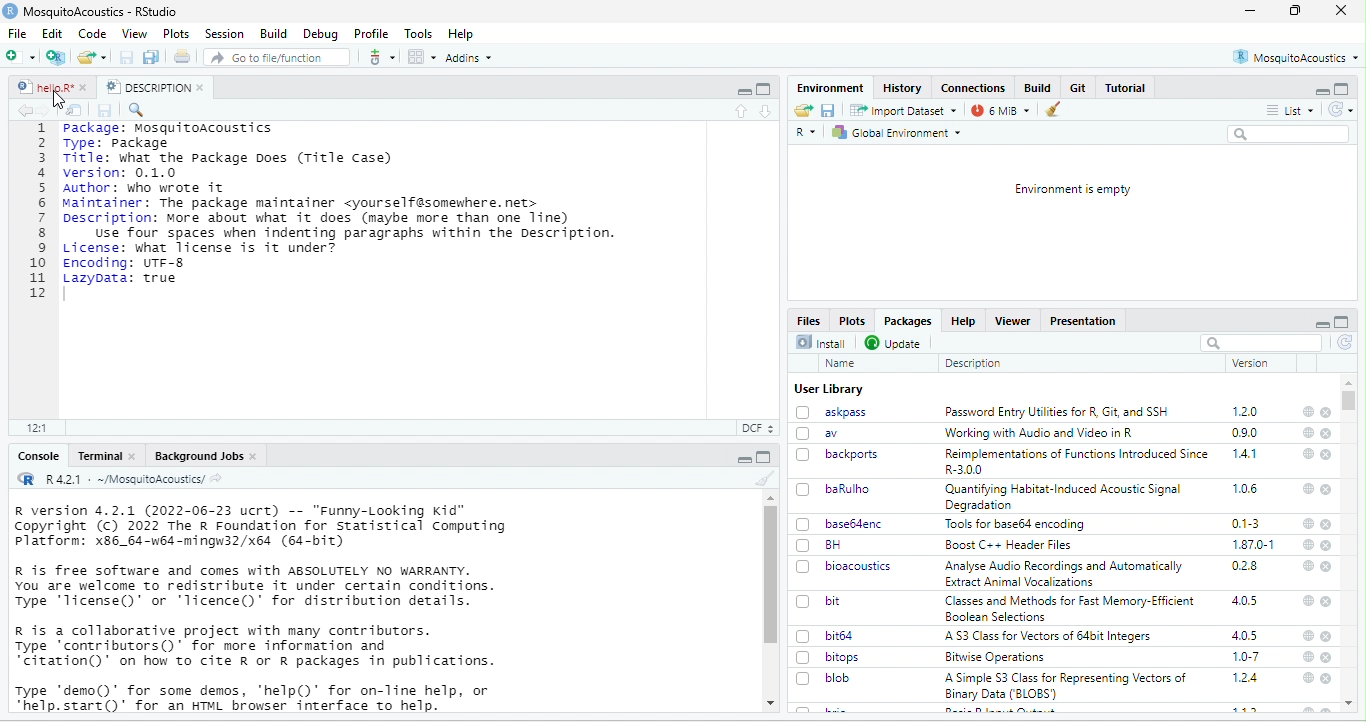  I want to click on bit64, so click(827, 635).